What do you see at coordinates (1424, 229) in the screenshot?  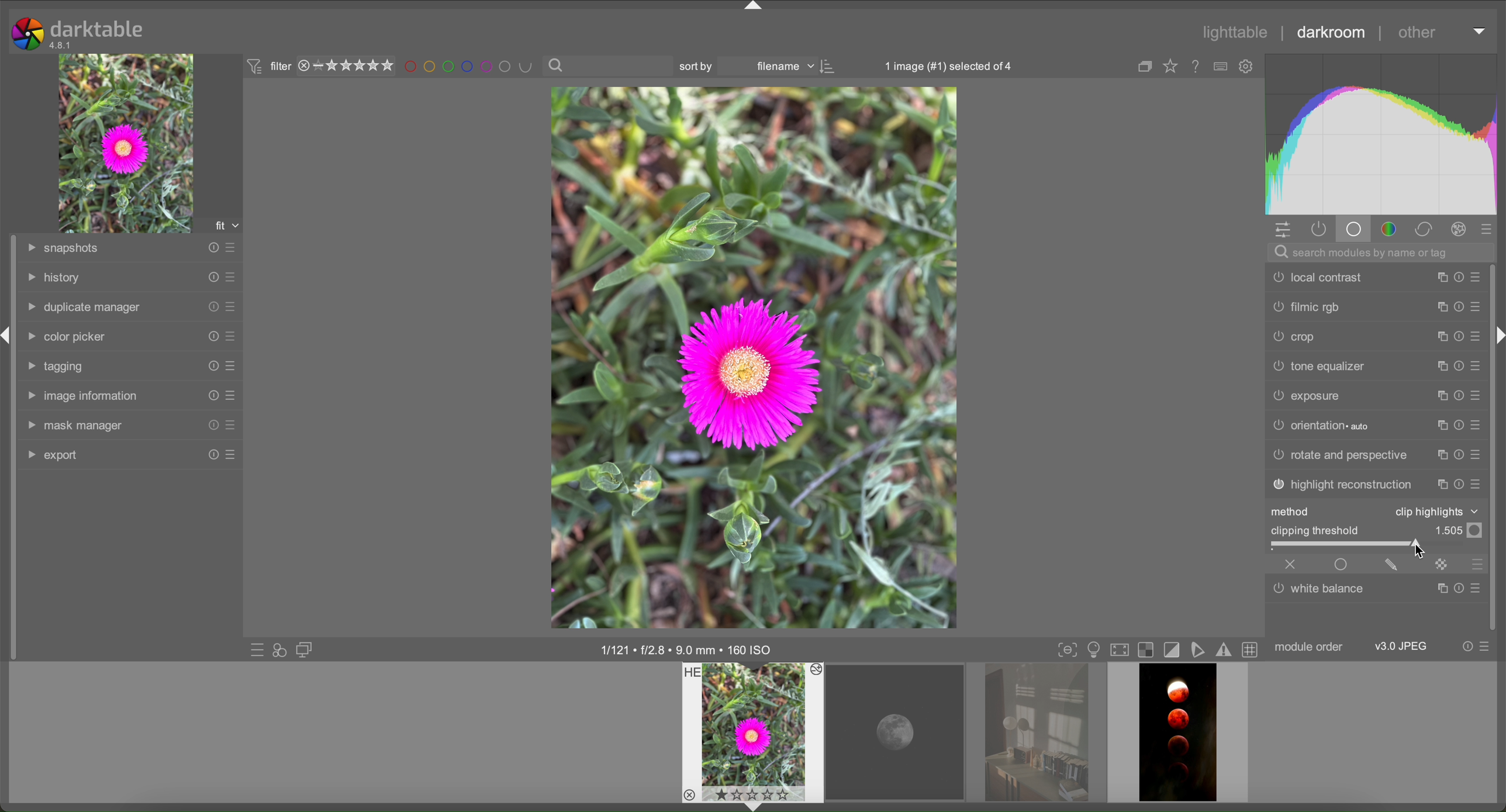 I see `correct` at bounding box center [1424, 229].